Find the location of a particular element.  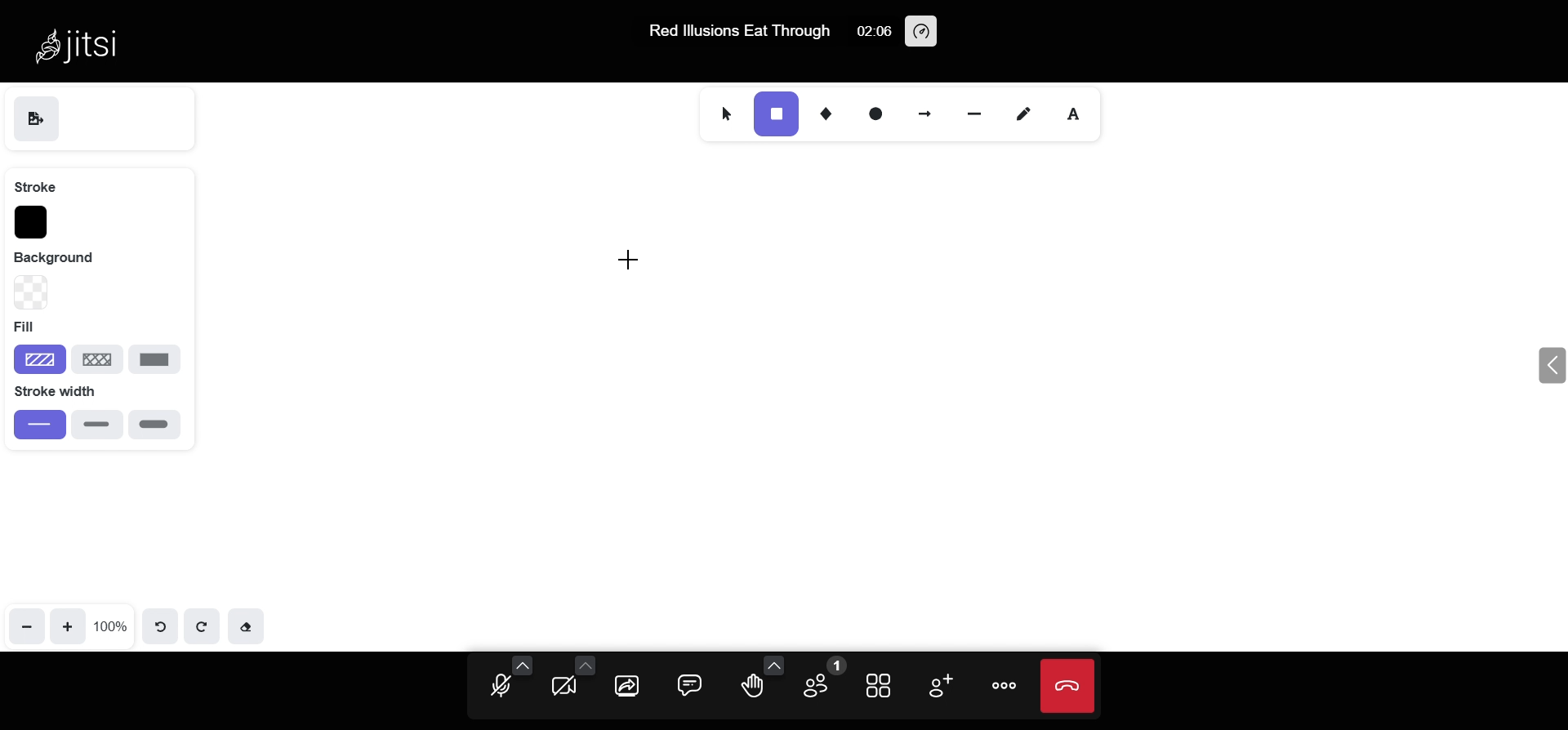

redo is located at coordinates (203, 625).